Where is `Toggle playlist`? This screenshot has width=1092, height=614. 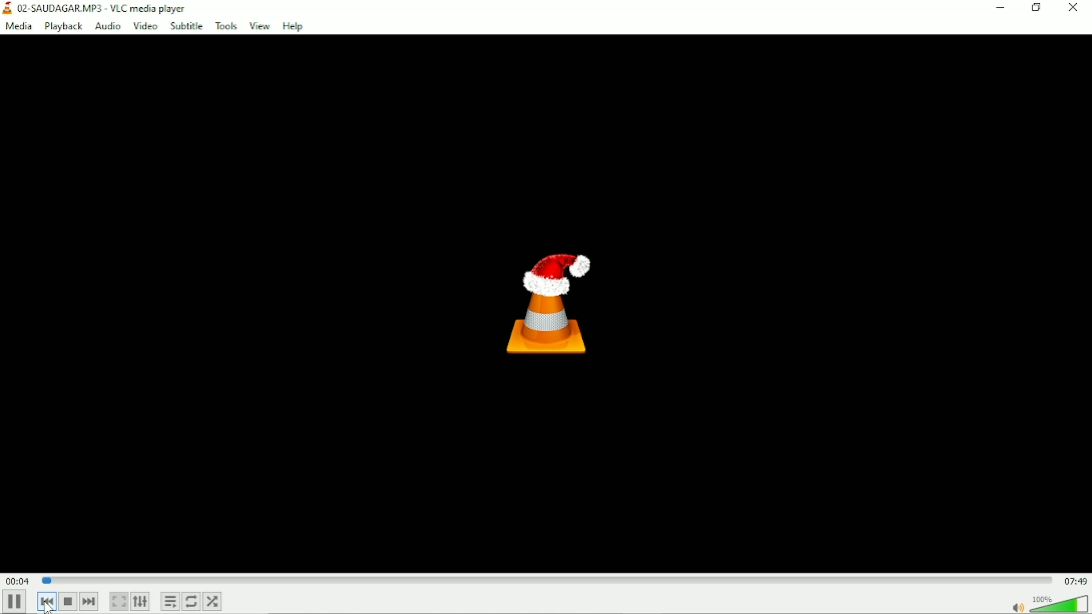
Toggle playlist is located at coordinates (168, 602).